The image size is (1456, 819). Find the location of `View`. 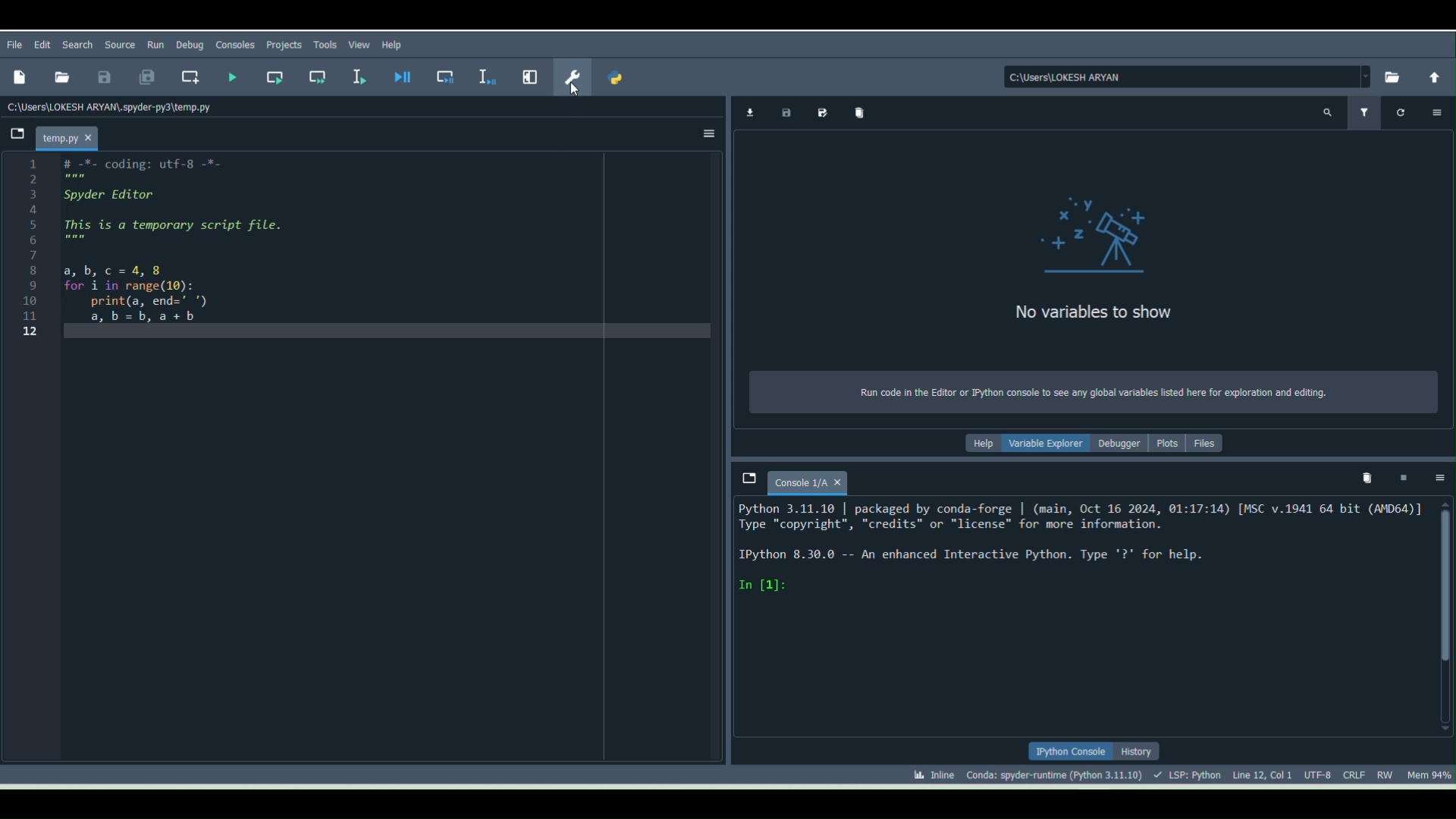

View is located at coordinates (360, 44).